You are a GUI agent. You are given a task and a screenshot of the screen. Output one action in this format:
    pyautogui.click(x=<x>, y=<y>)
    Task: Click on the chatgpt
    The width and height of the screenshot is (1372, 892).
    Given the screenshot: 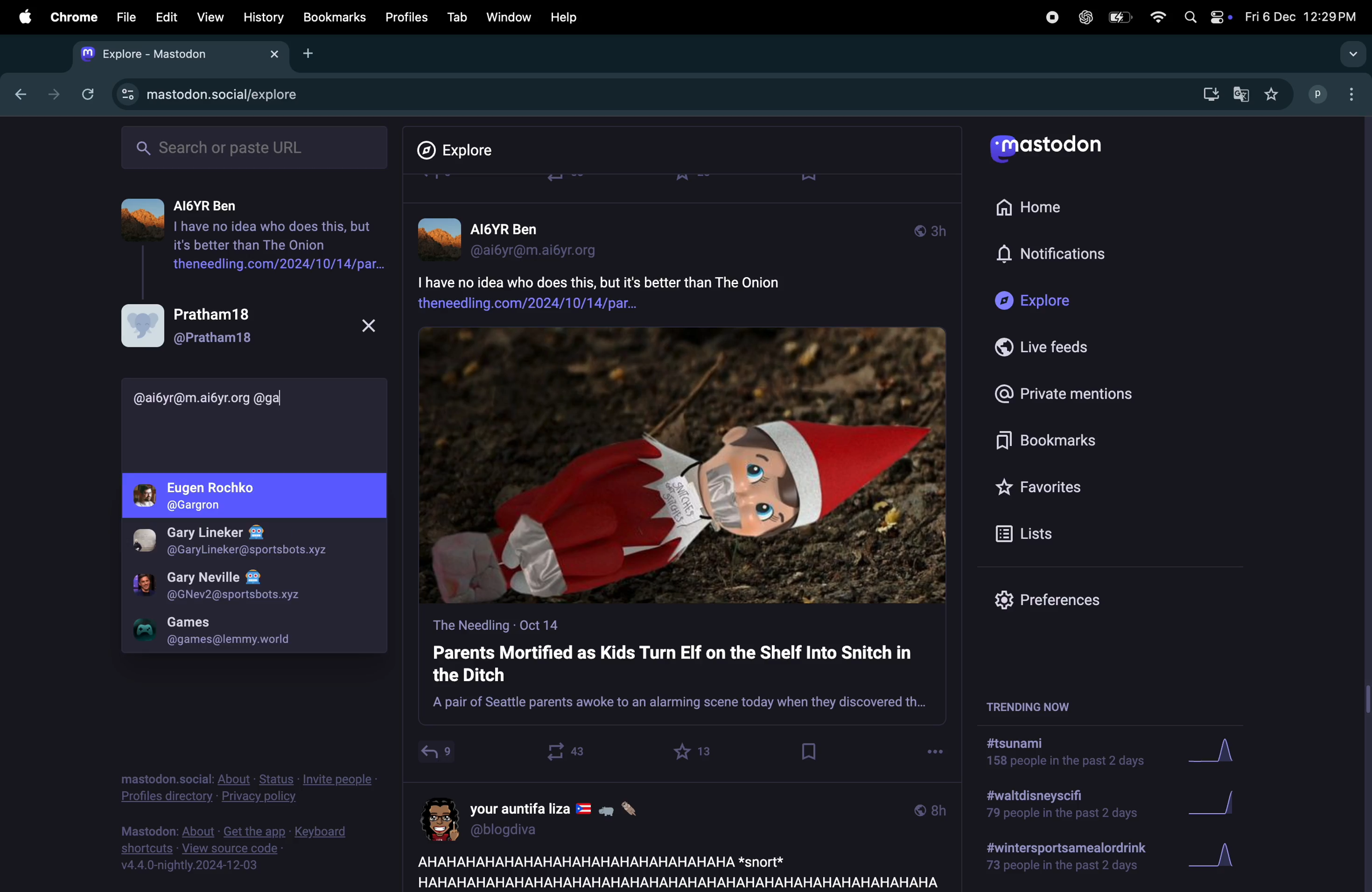 What is the action you would take?
    pyautogui.click(x=1084, y=17)
    